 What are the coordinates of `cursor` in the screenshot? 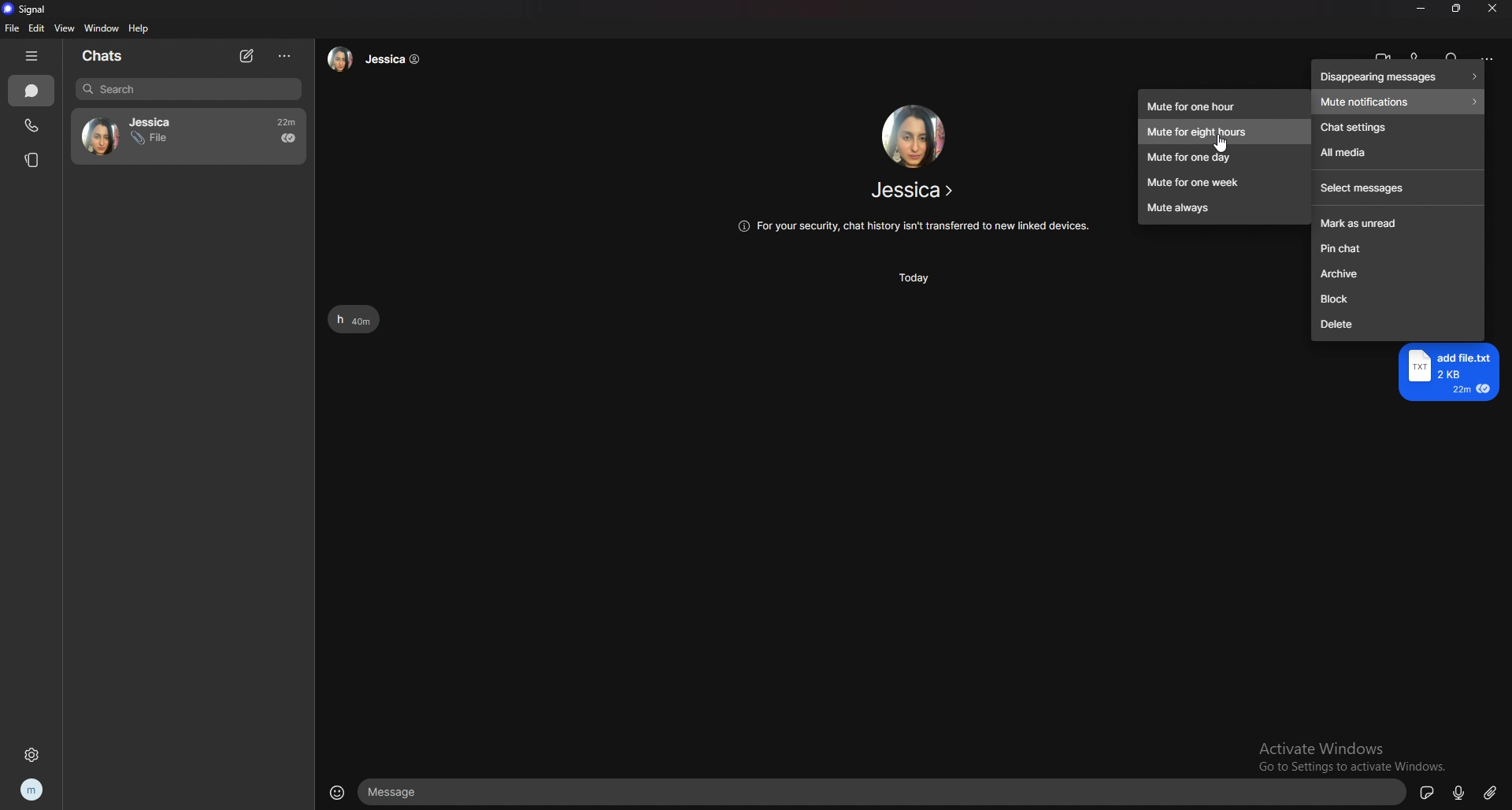 It's located at (1221, 145).